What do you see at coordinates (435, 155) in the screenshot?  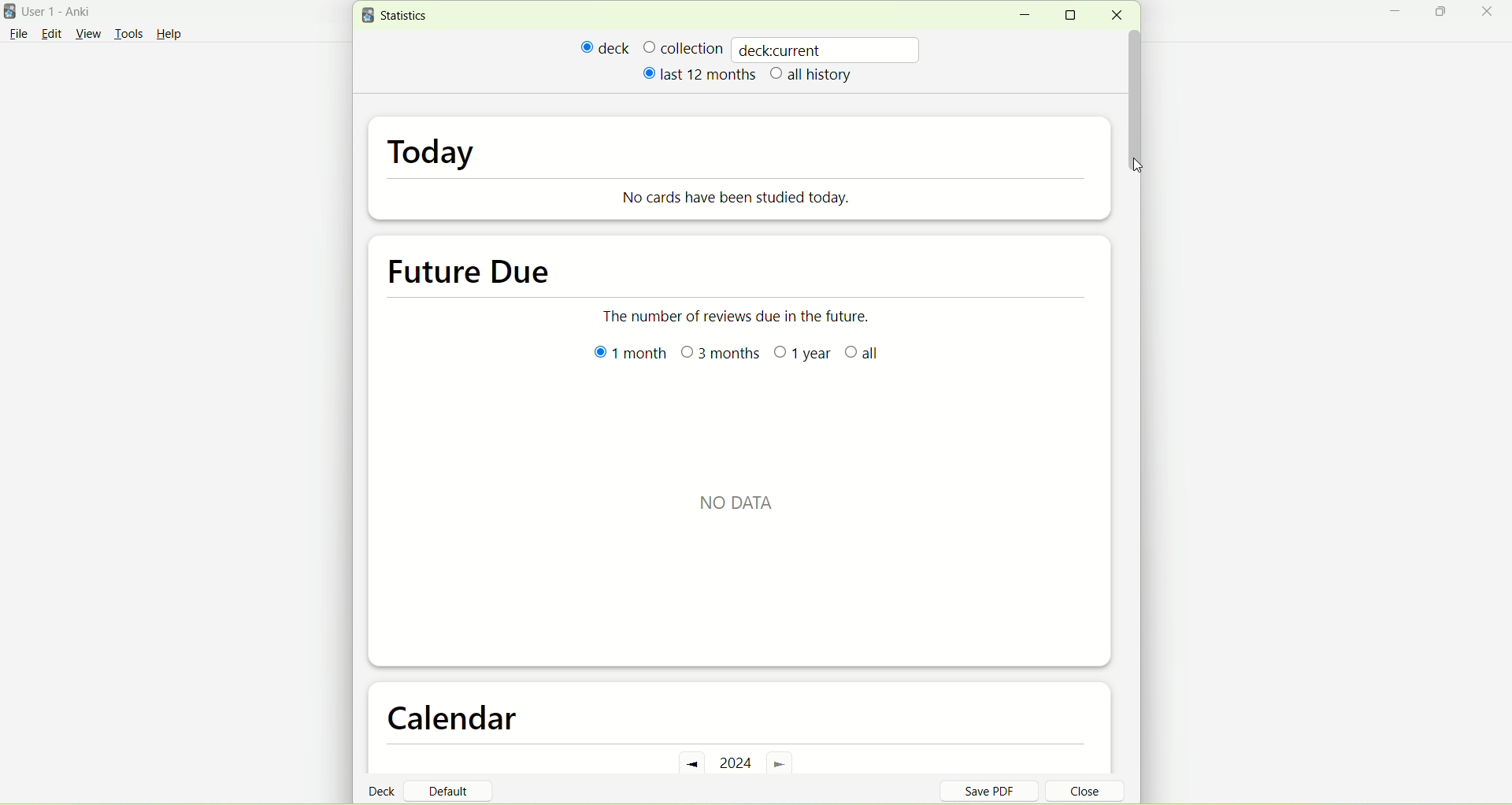 I see `today` at bounding box center [435, 155].